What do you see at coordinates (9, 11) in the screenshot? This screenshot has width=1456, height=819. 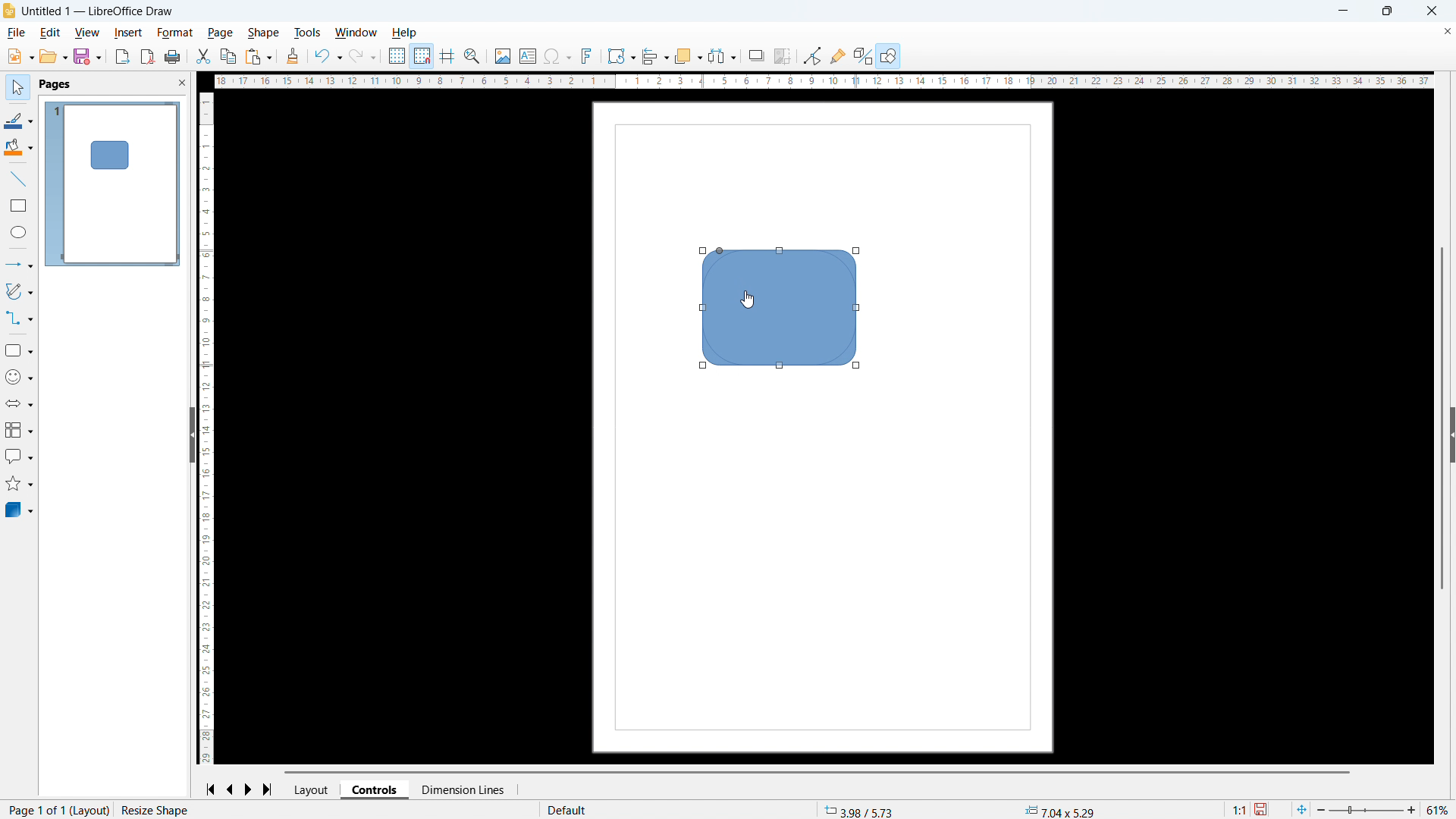 I see `Logo ` at bounding box center [9, 11].